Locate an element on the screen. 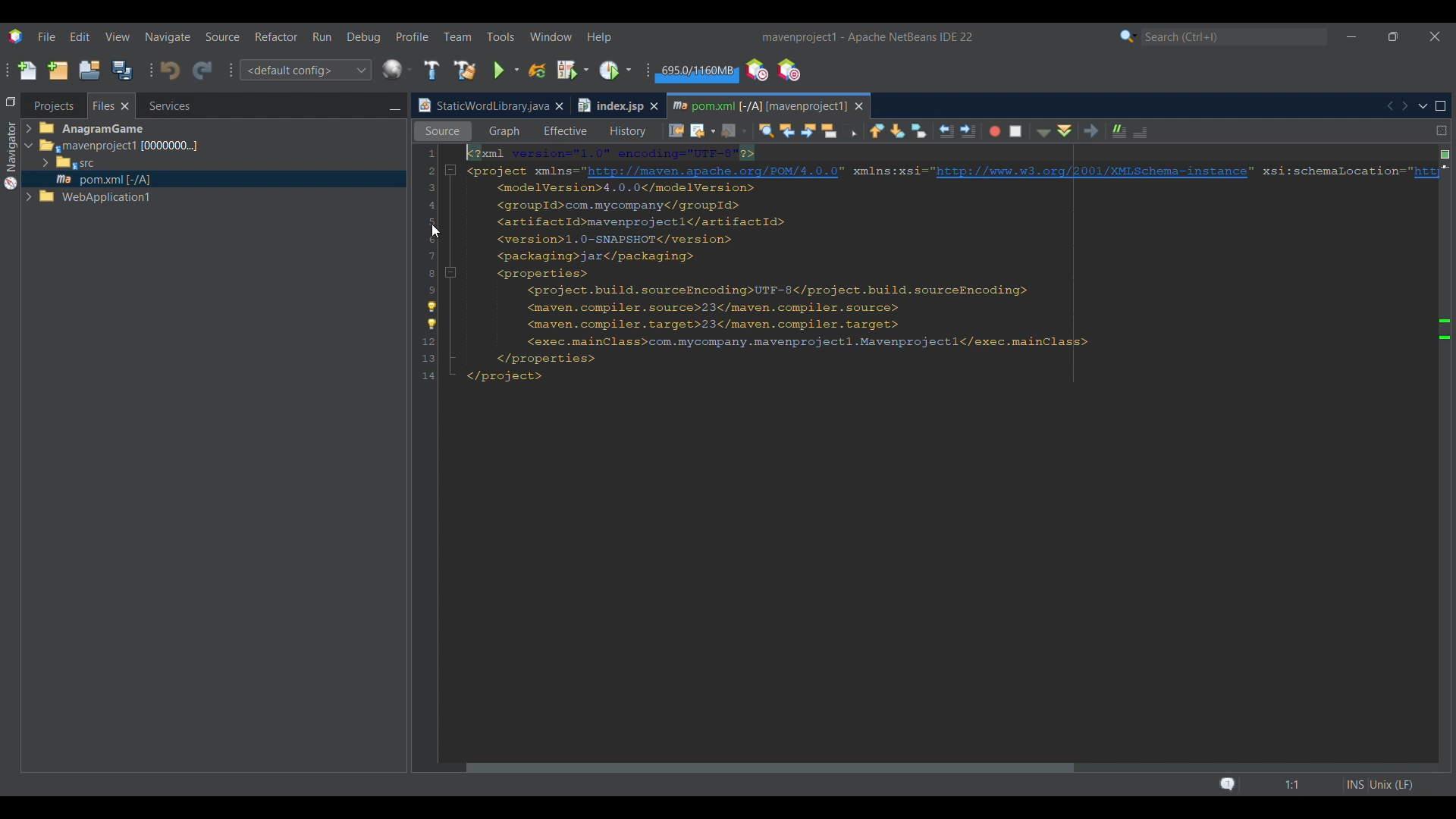 This screenshot has width=1456, height=819. Code in current tab is located at coordinates (927, 266).